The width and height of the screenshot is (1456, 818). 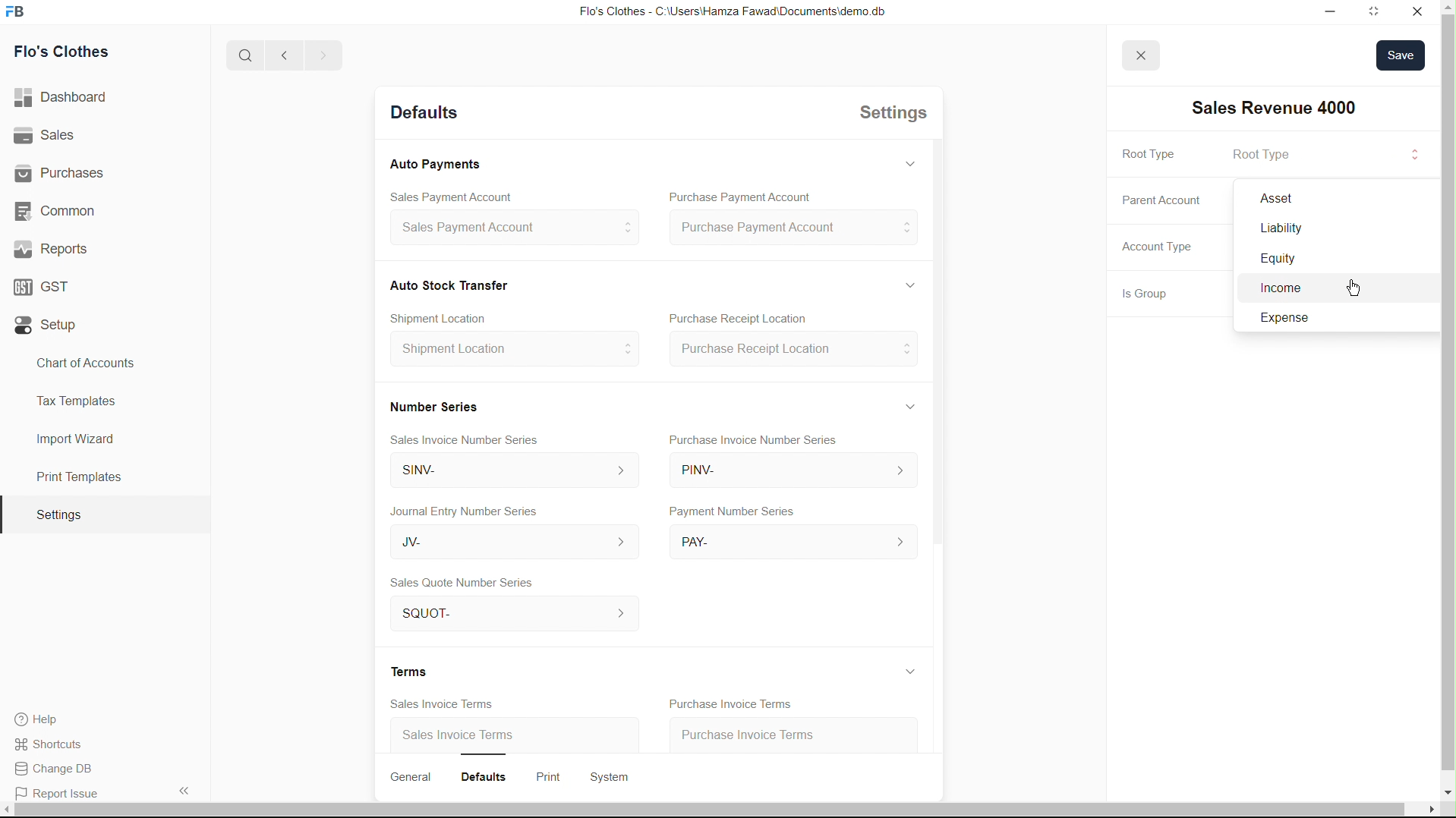 I want to click on GST, so click(x=47, y=283).